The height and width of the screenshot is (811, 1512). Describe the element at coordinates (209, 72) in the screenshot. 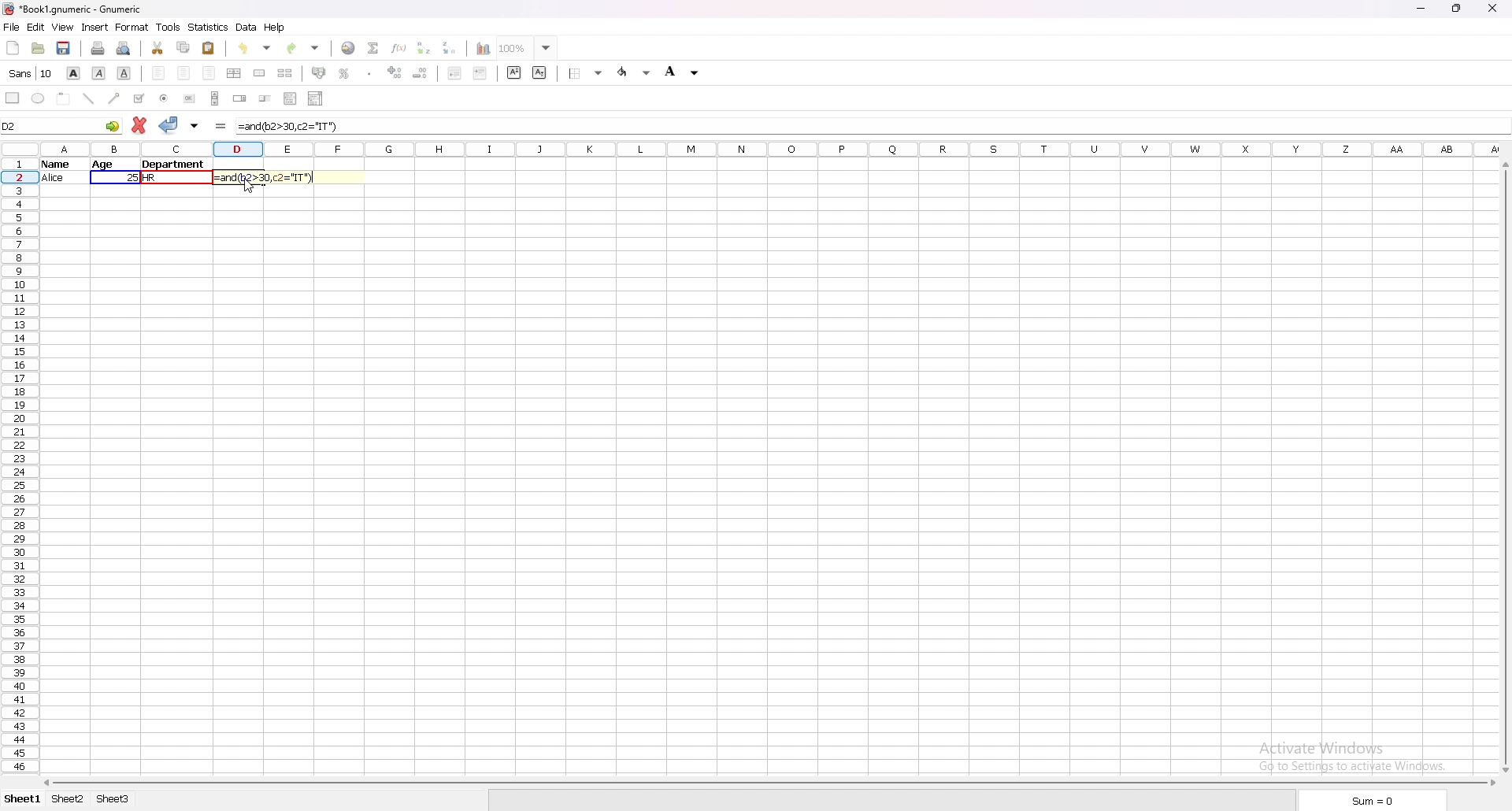

I see `right align` at that location.